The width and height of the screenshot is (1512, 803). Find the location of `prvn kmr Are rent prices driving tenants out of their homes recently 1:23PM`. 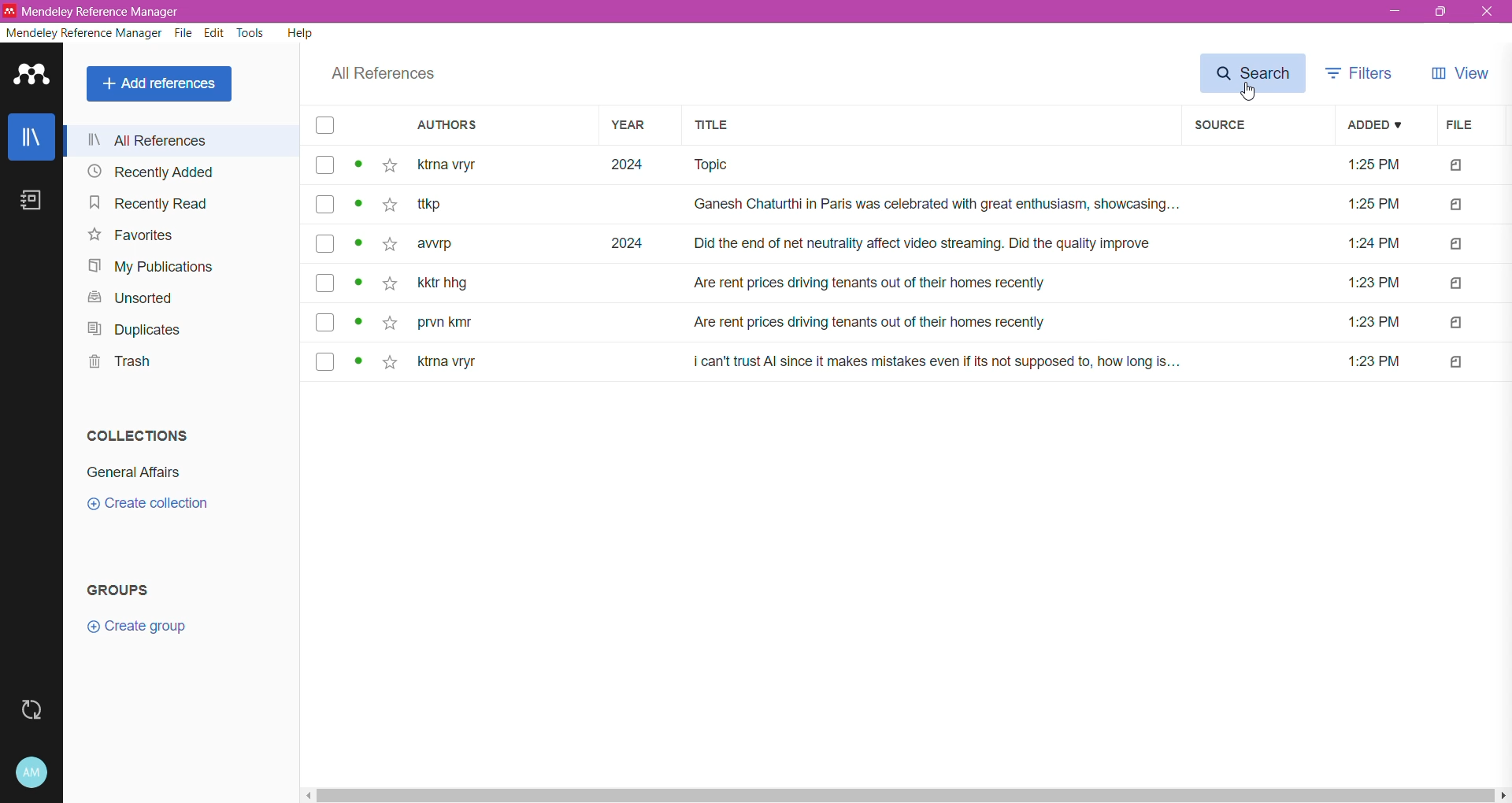

prvn kmr Are rent prices driving tenants out of their homes recently 1:23PM is located at coordinates (917, 324).